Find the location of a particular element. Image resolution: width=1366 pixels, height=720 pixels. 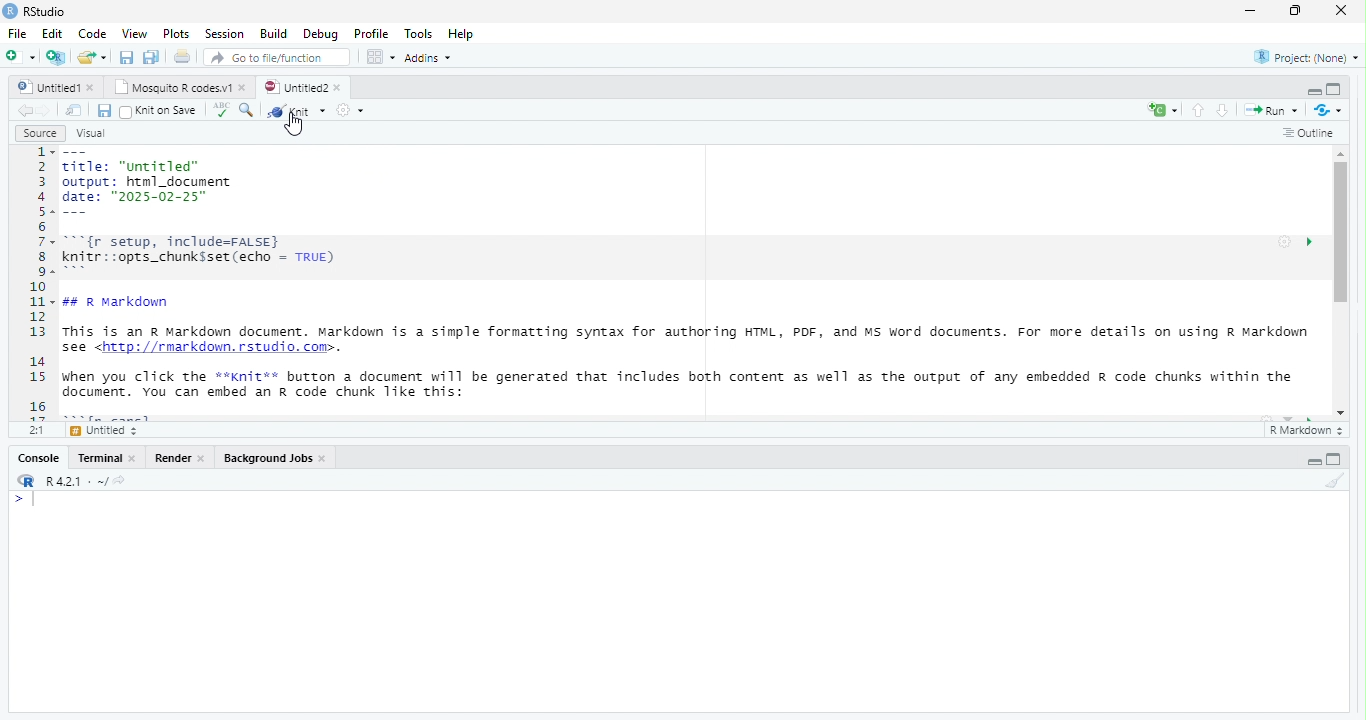

checkbox is located at coordinates (124, 112).